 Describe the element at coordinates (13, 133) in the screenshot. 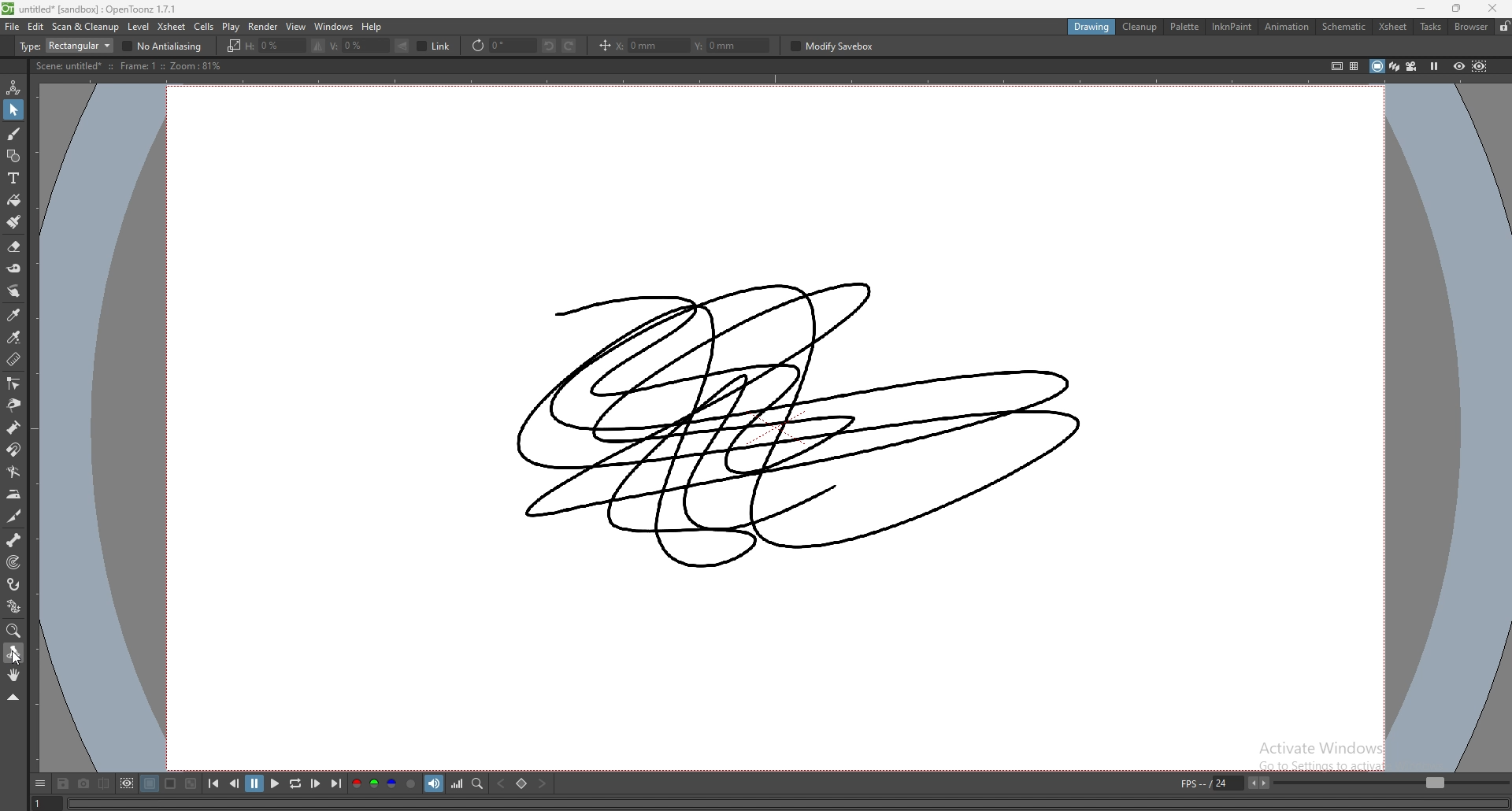

I see `brush tool` at that location.